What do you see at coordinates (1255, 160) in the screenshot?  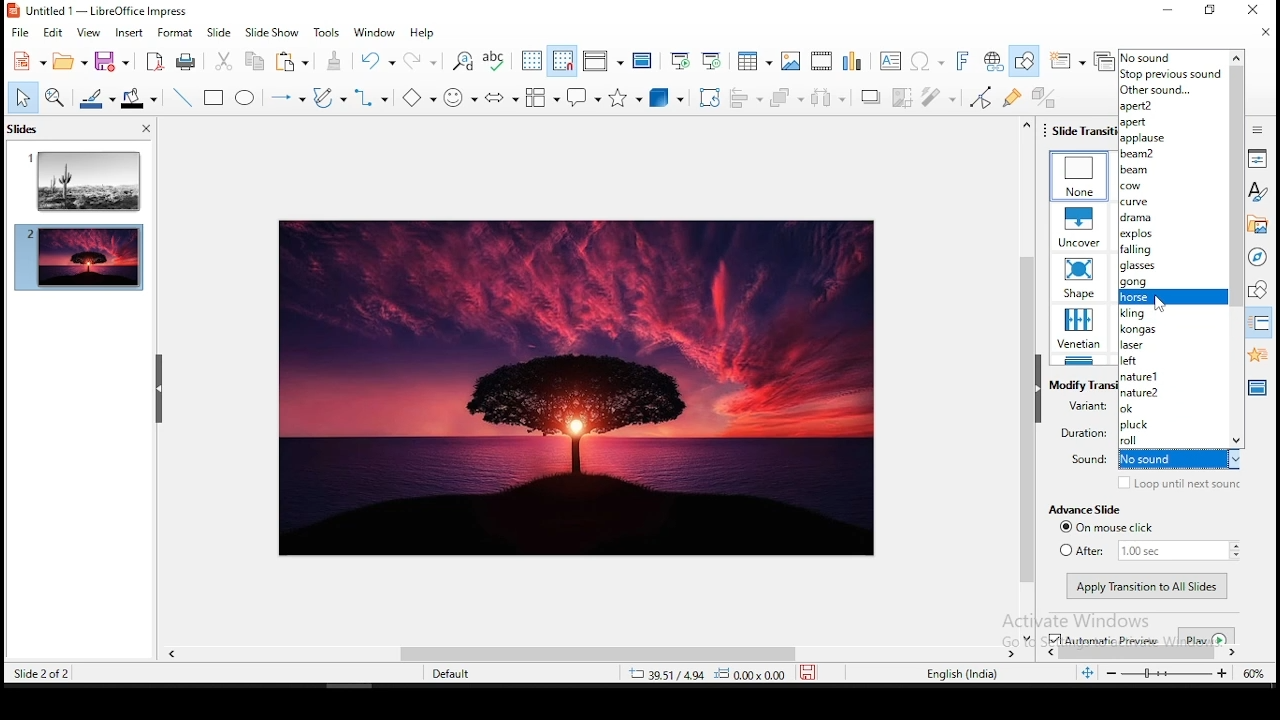 I see `properties` at bounding box center [1255, 160].